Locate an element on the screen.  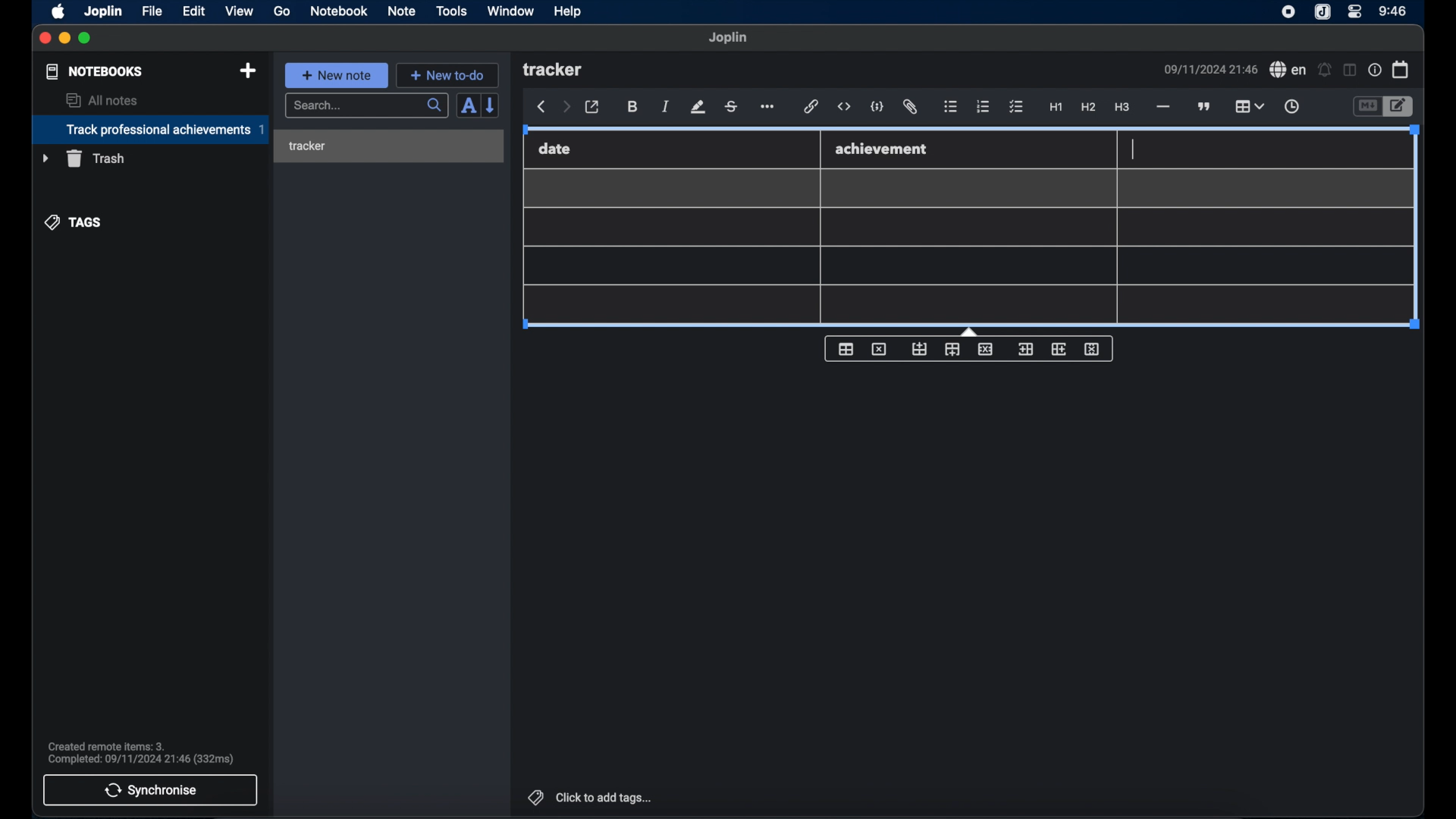
help is located at coordinates (566, 12).